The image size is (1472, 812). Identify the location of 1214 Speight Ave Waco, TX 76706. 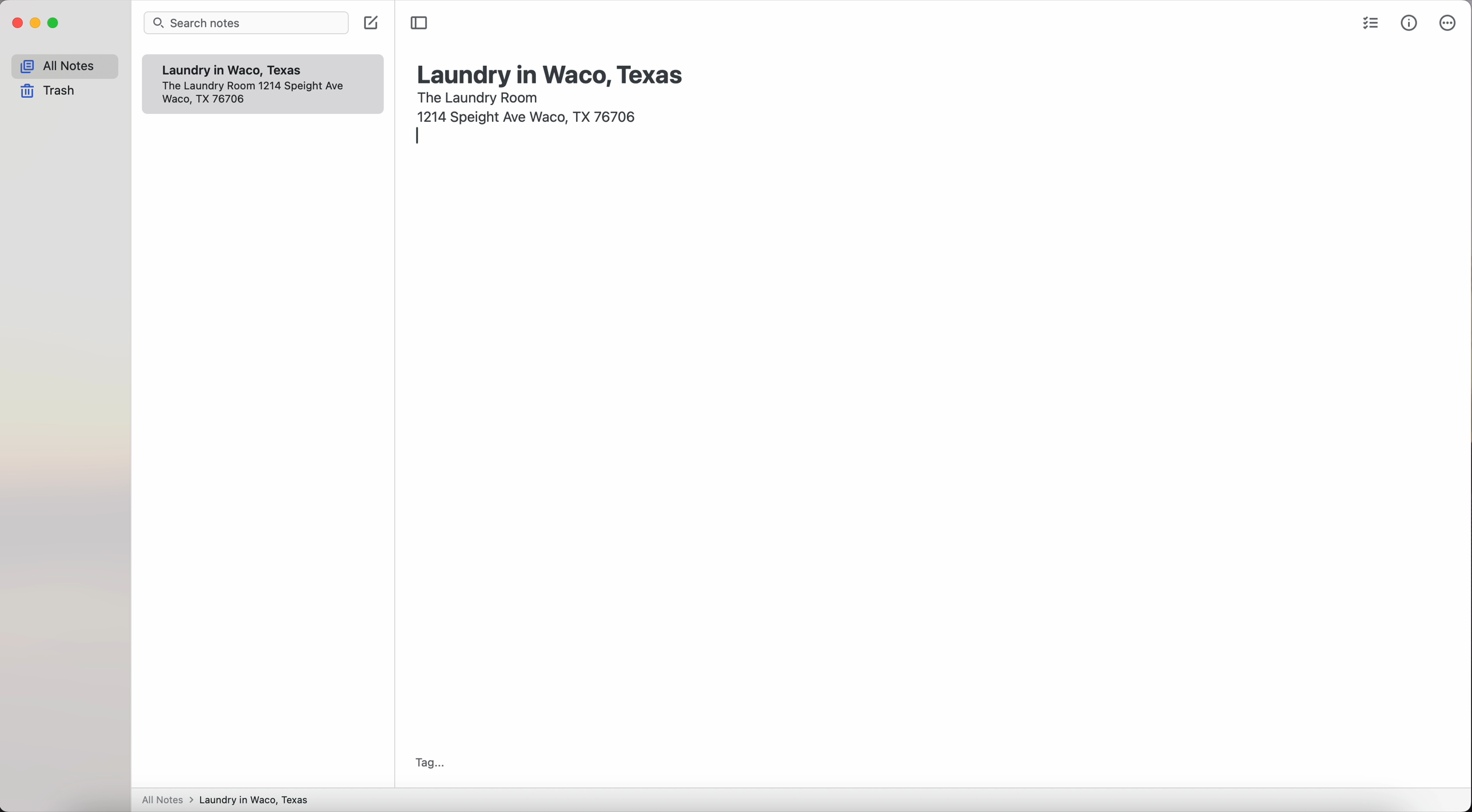
(258, 94).